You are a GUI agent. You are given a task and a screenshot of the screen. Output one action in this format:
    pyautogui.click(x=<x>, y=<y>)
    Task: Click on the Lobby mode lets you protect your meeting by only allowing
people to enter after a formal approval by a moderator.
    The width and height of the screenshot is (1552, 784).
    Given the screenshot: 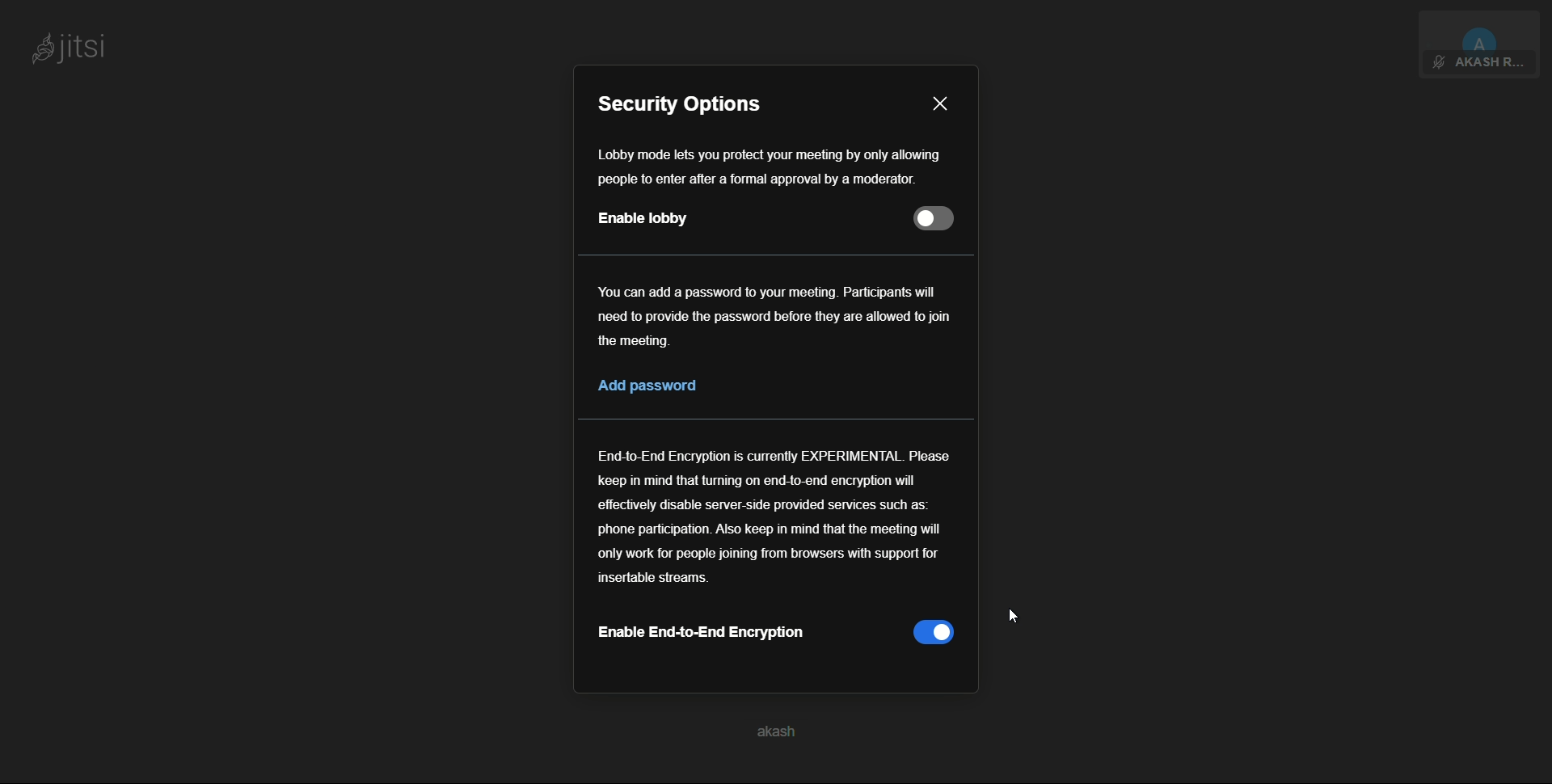 What is the action you would take?
    pyautogui.click(x=784, y=164)
    